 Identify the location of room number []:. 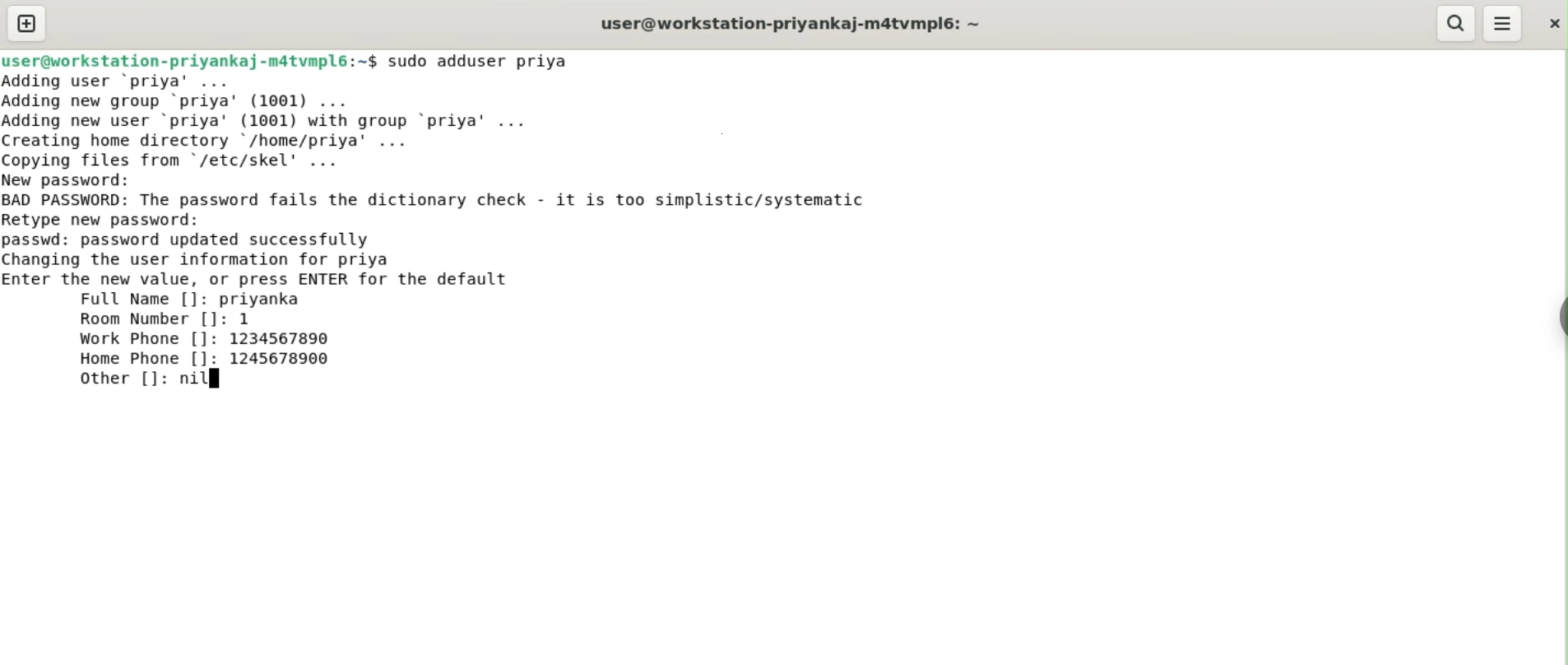
(150, 321).